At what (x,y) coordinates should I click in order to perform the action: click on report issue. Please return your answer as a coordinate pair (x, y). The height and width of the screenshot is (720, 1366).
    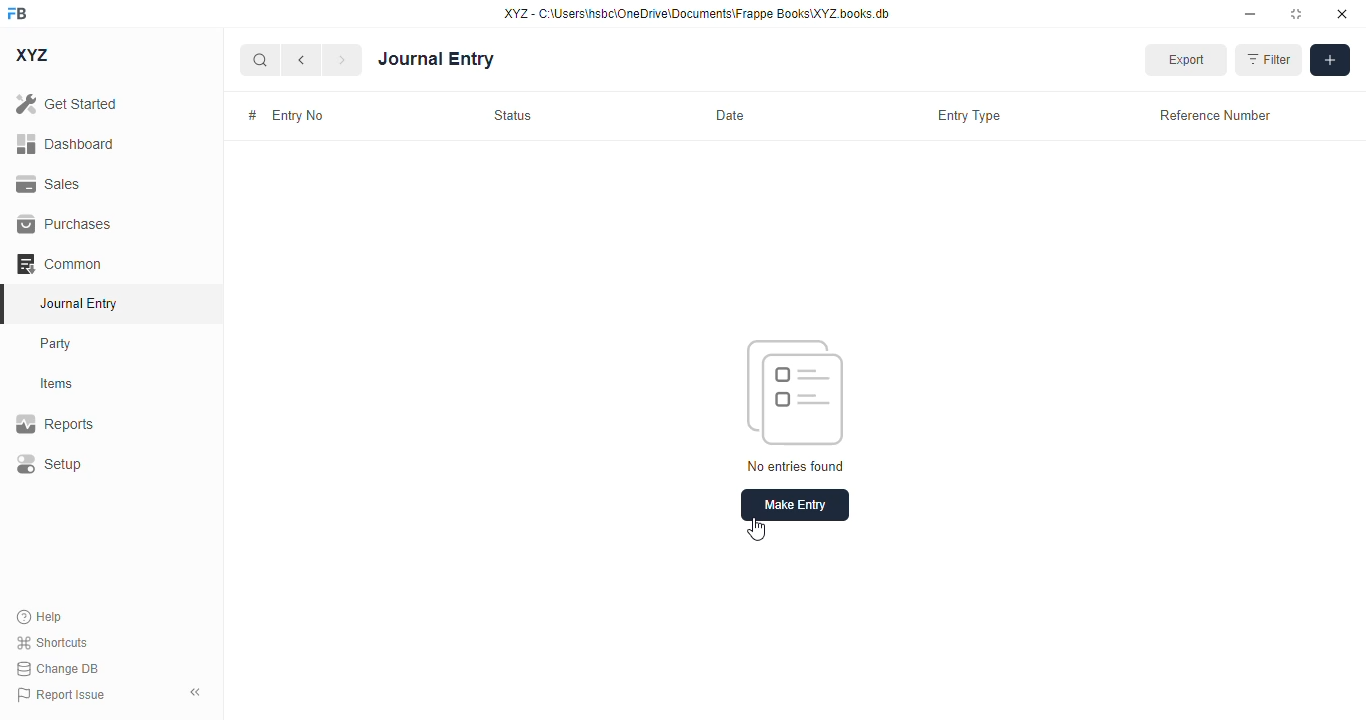
    Looking at the image, I should click on (61, 695).